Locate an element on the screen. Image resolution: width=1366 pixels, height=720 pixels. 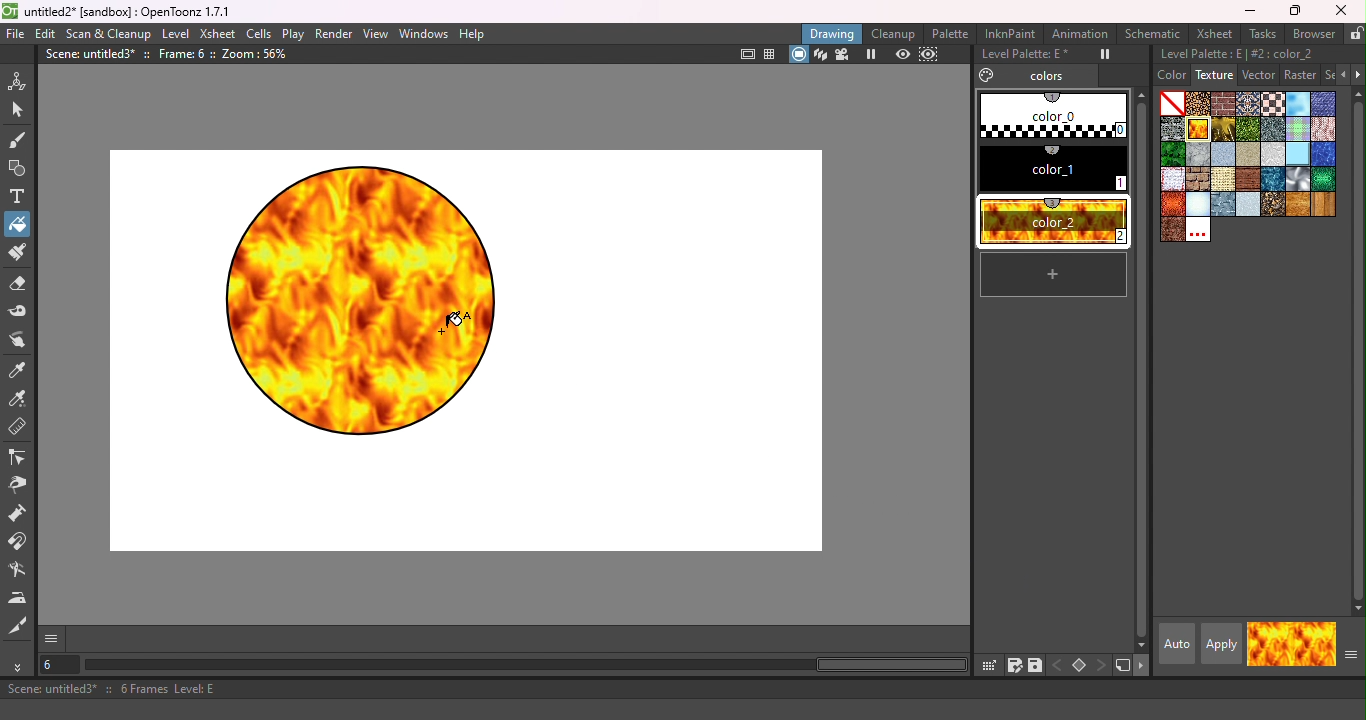
Paper 4.bmp is located at coordinates (1248, 154).